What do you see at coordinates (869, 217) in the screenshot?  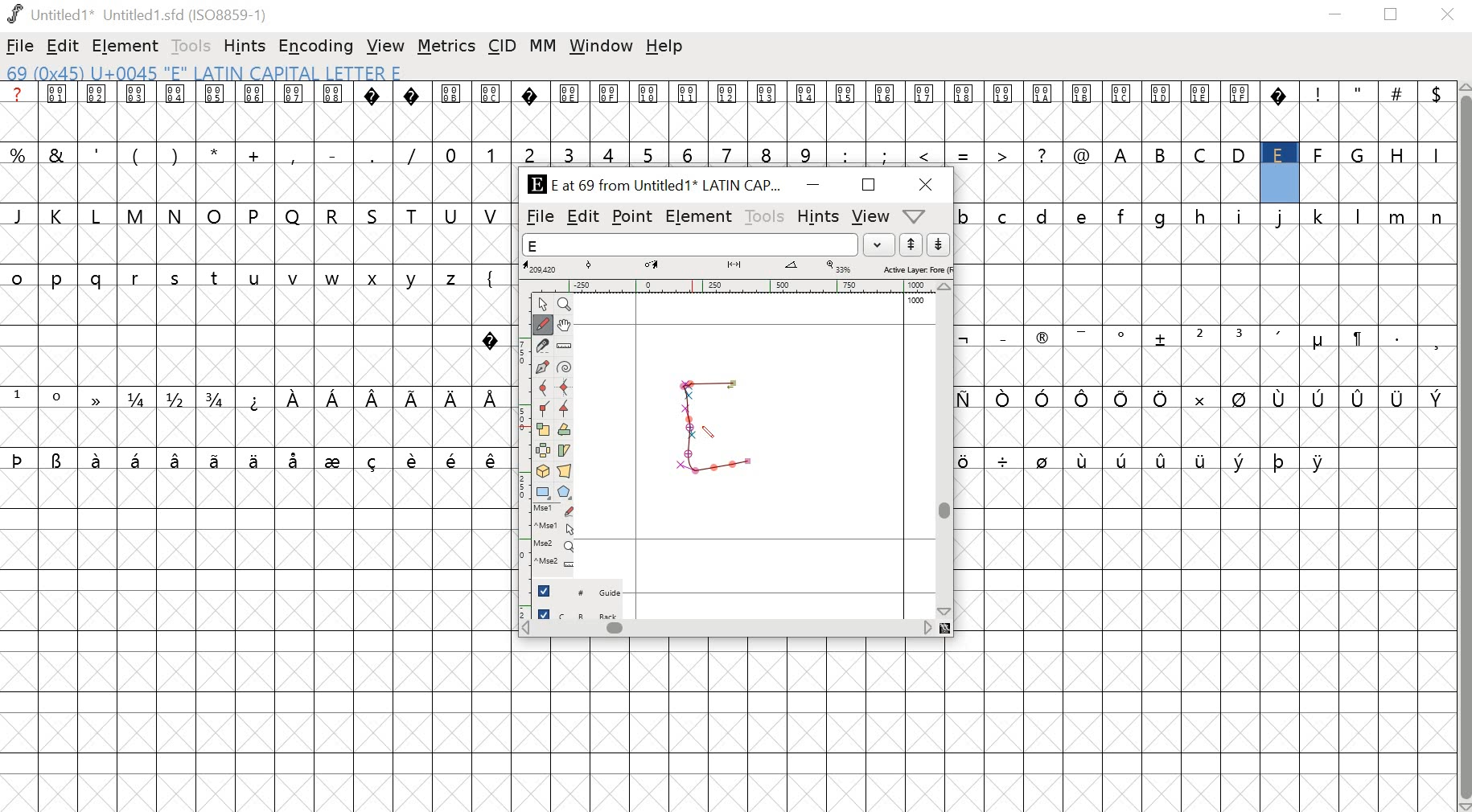 I see `view` at bounding box center [869, 217].